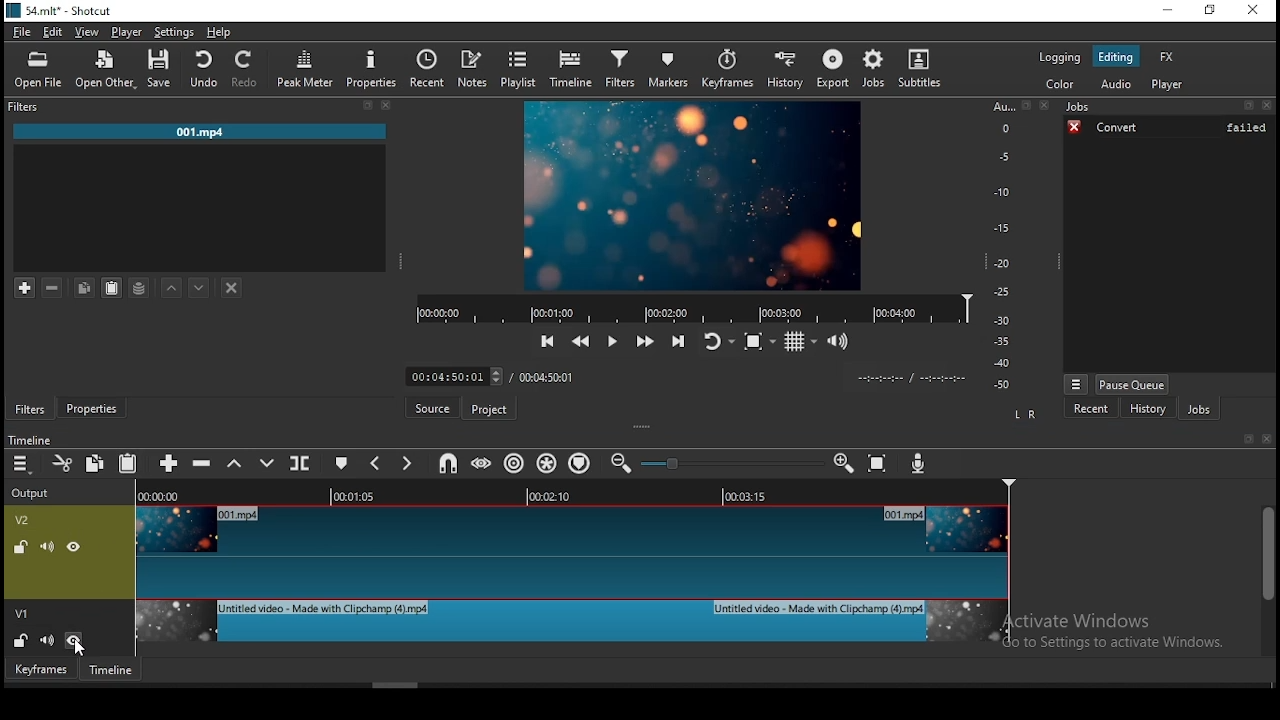 The image size is (1280, 720). I want to click on undo, so click(203, 71).